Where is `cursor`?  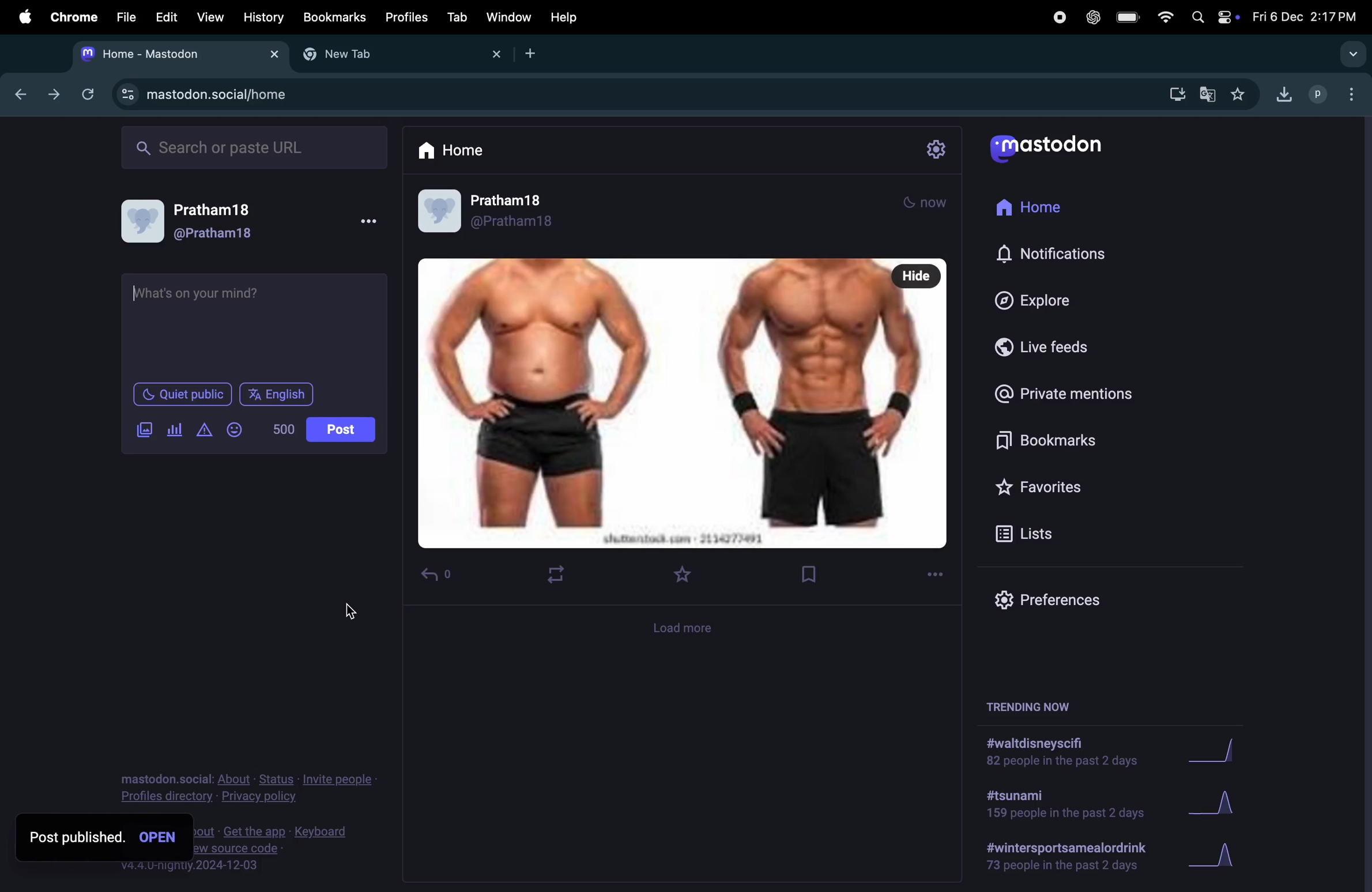 cursor is located at coordinates (357, 613).